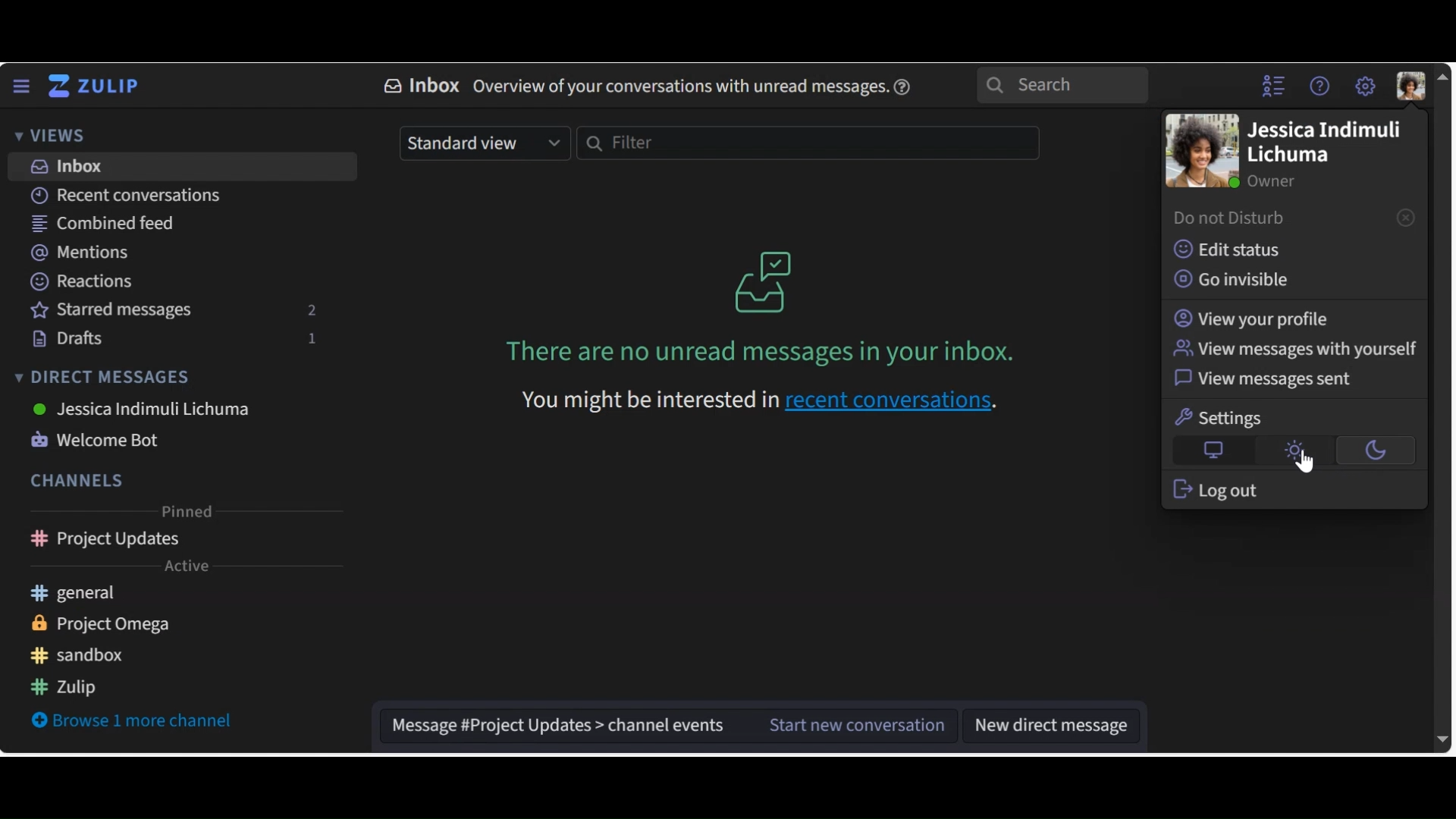 This screenshot has width=1456, height=819. I want to click on Help menu, so click(1322, 88).